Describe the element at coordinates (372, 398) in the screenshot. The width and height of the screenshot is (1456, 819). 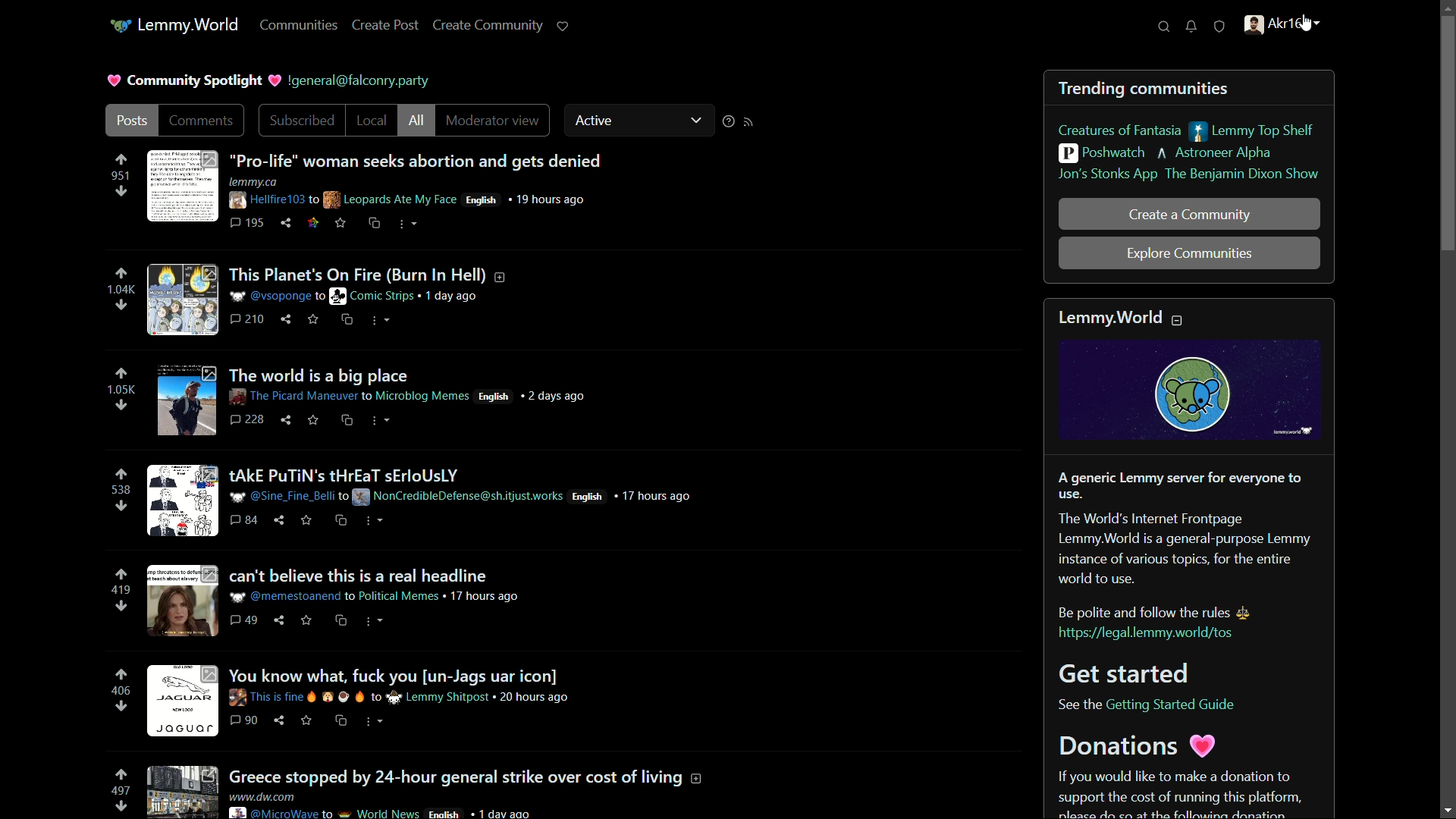
I see `post-3` at that location.